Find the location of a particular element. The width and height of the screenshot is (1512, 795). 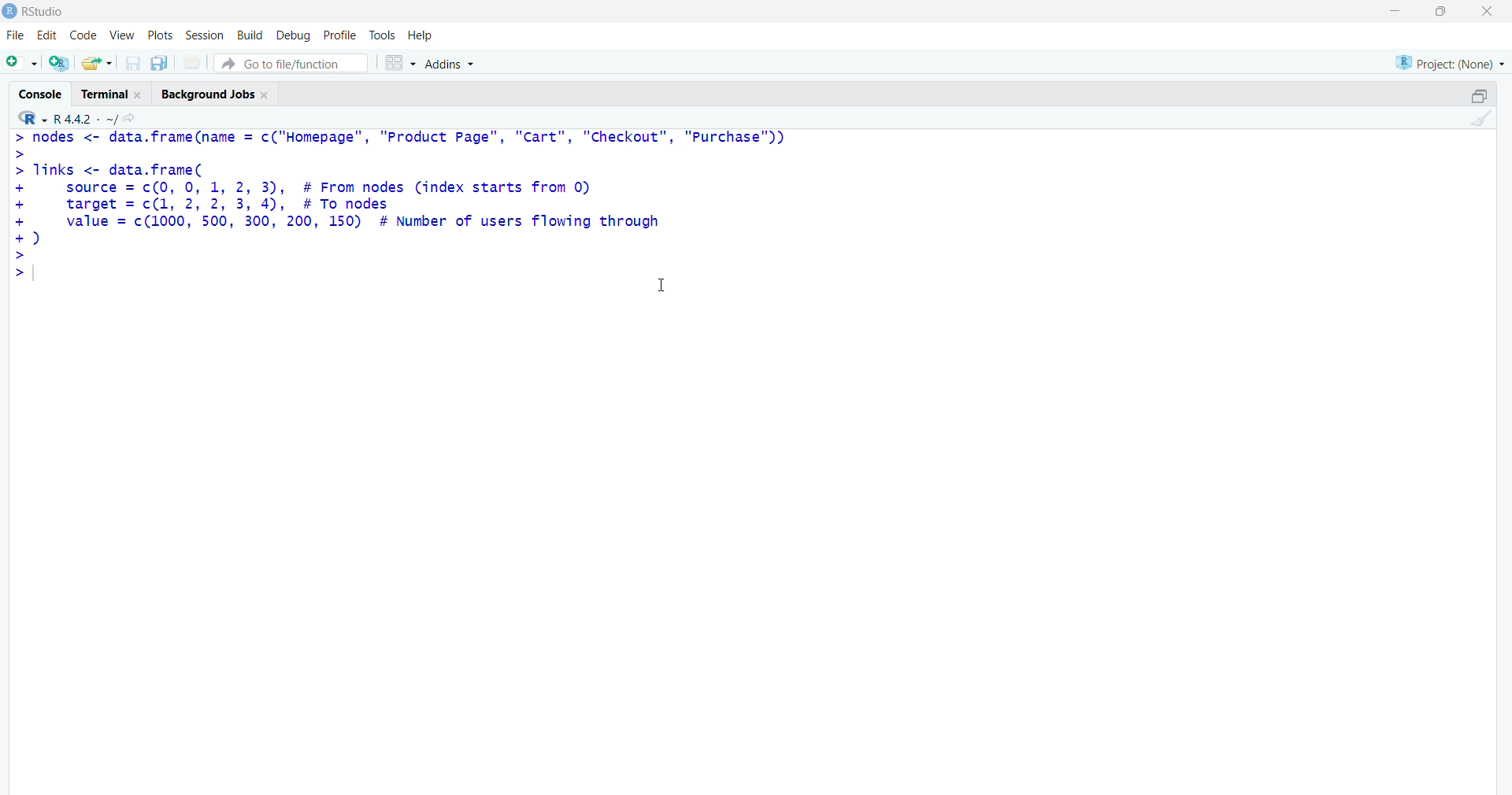

terminal is located at coordinates (108, 94).